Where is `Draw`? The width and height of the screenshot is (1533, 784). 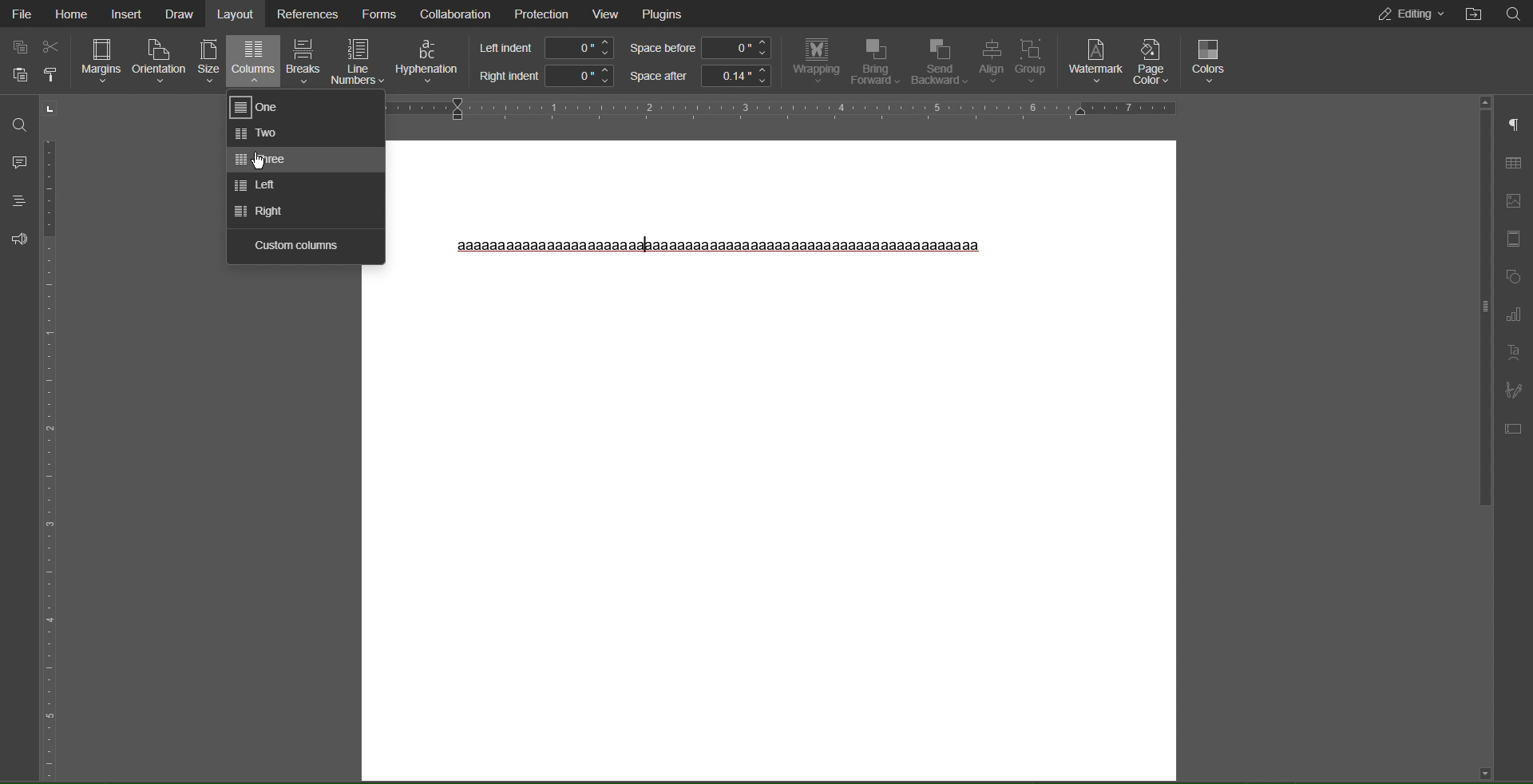 Draw is located at coordinates (178, 14).